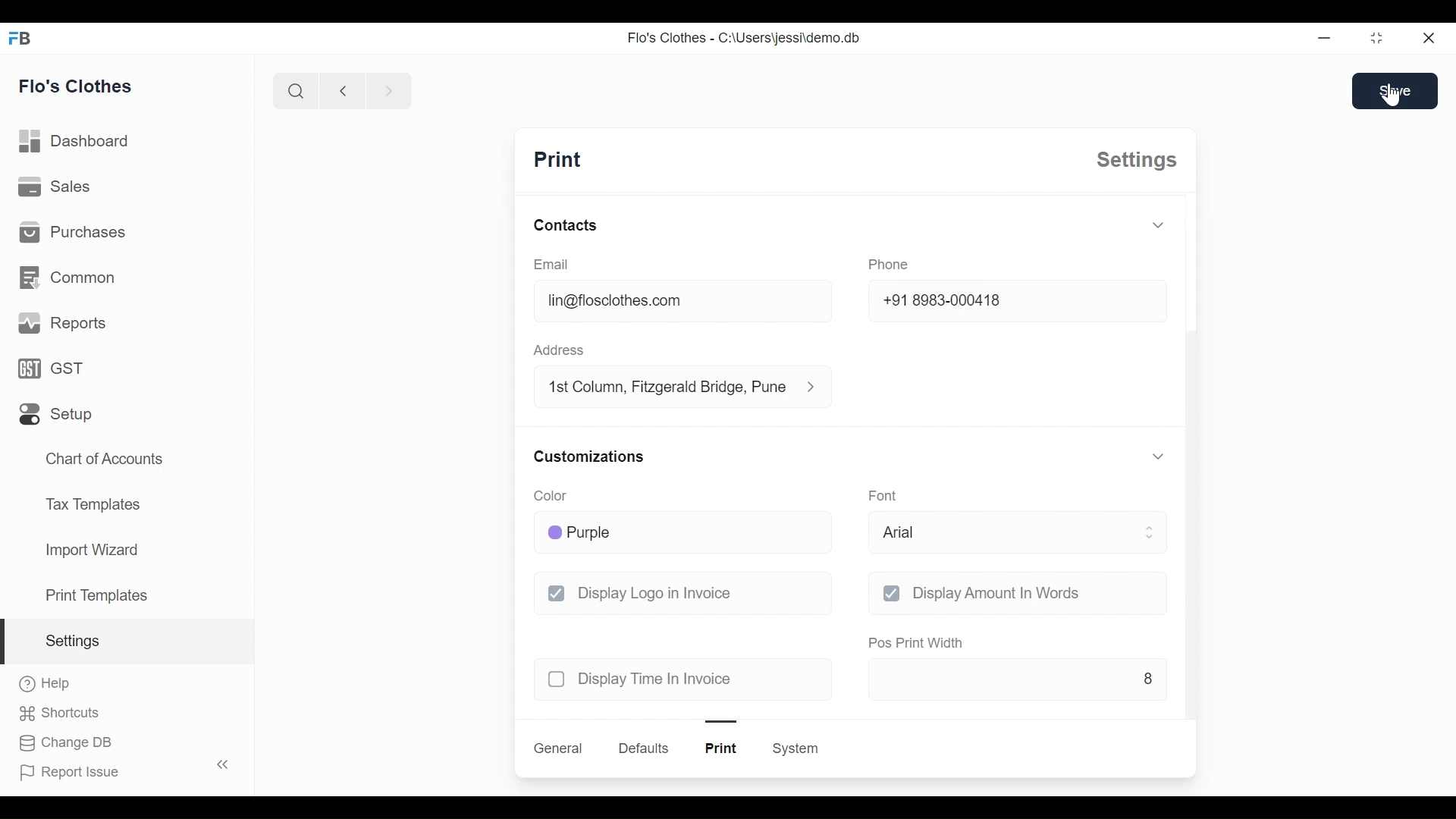  Describe the element at coordinates (686, 533) in the screenshot. I see `purple` at that location.